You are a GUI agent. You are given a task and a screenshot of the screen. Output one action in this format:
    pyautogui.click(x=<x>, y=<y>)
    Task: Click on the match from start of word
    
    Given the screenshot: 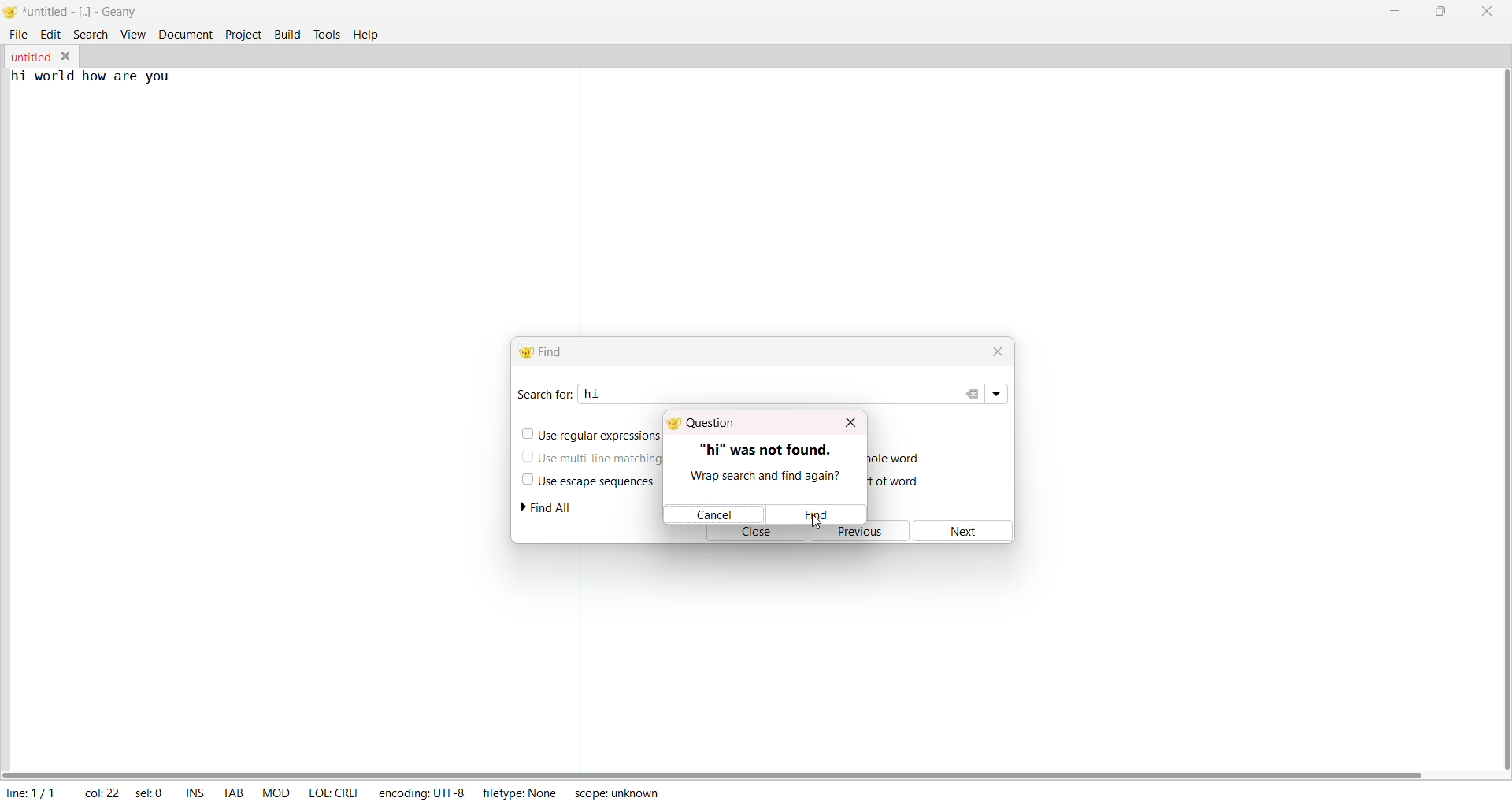 What is the action you would take?
    pyautogui.click(x=896, y=481)
    